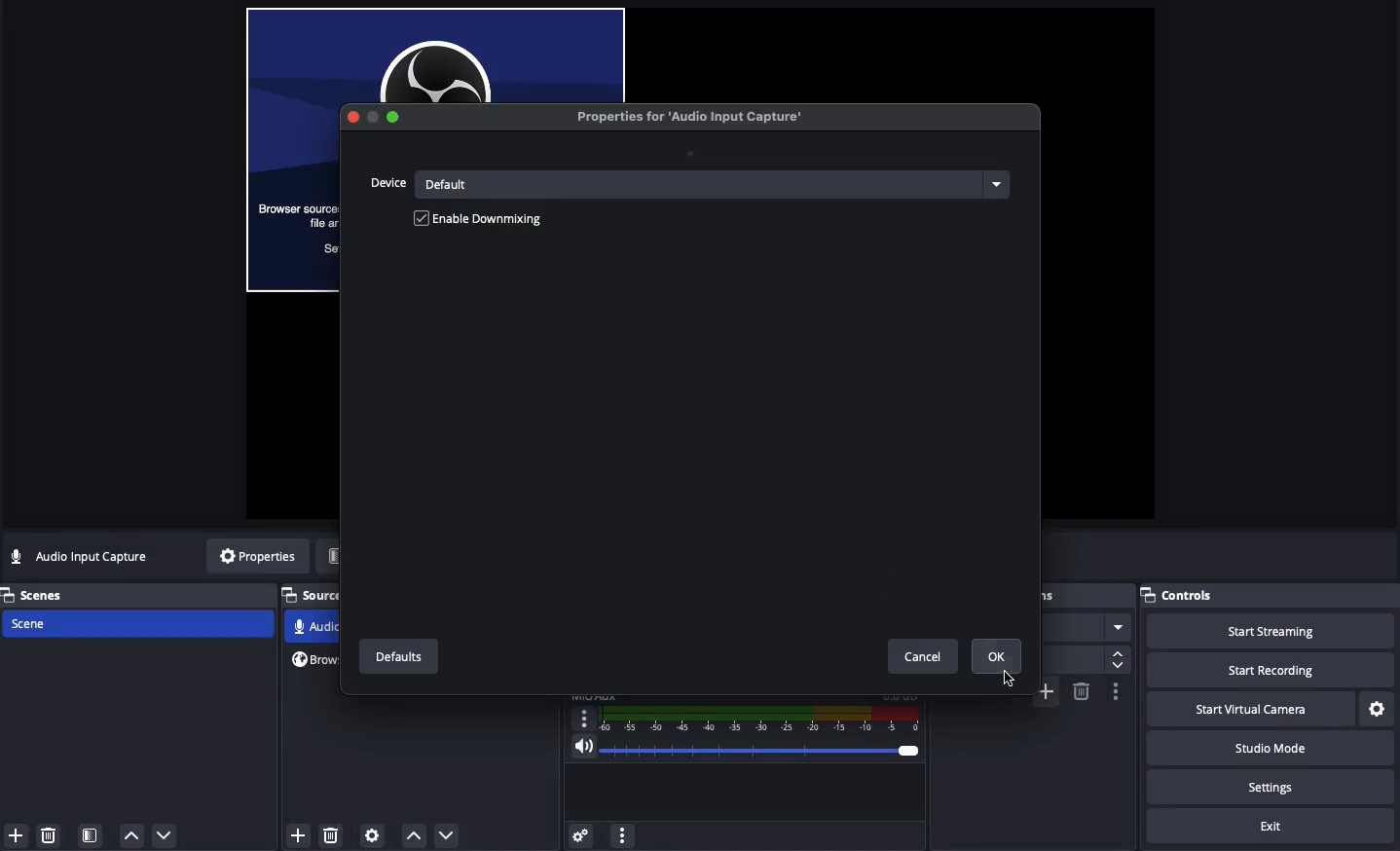 The height and width of the screenshot is (851, 1400). I want to click on Scene filter, so click(91, 835).